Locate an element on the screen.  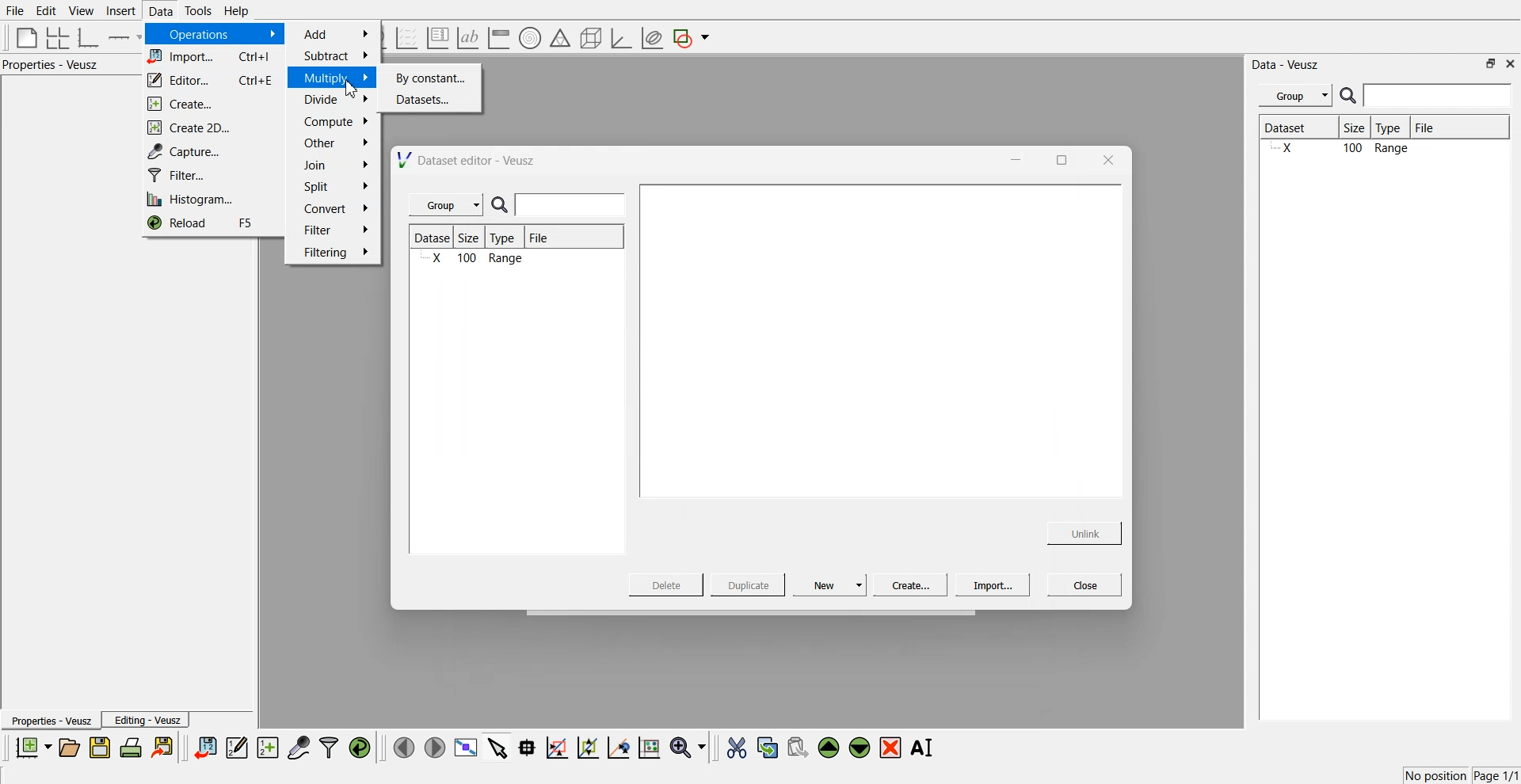
Operations is located at coordinates (212, 34).